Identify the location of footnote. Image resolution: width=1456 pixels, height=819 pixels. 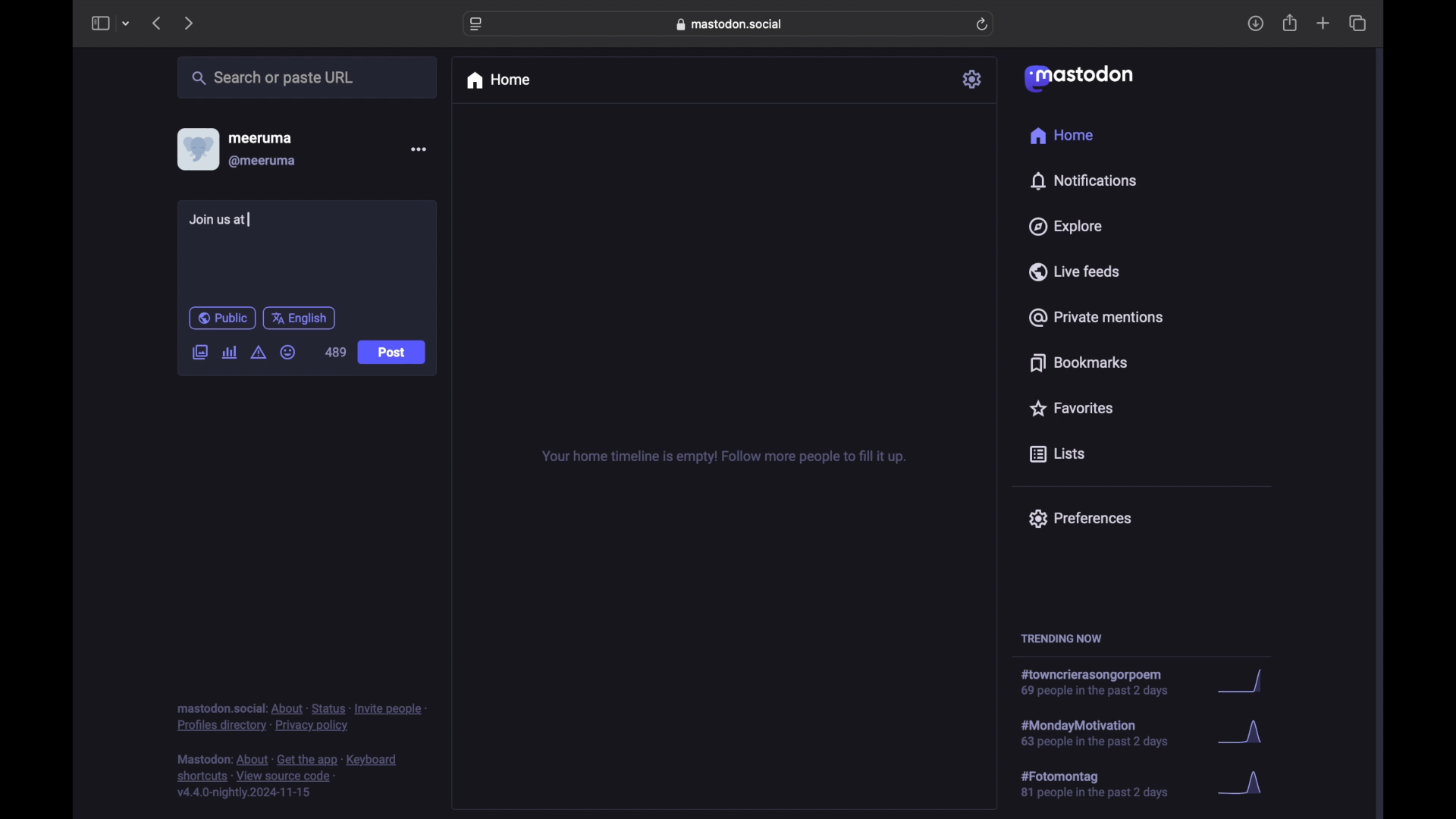
(290, 777).